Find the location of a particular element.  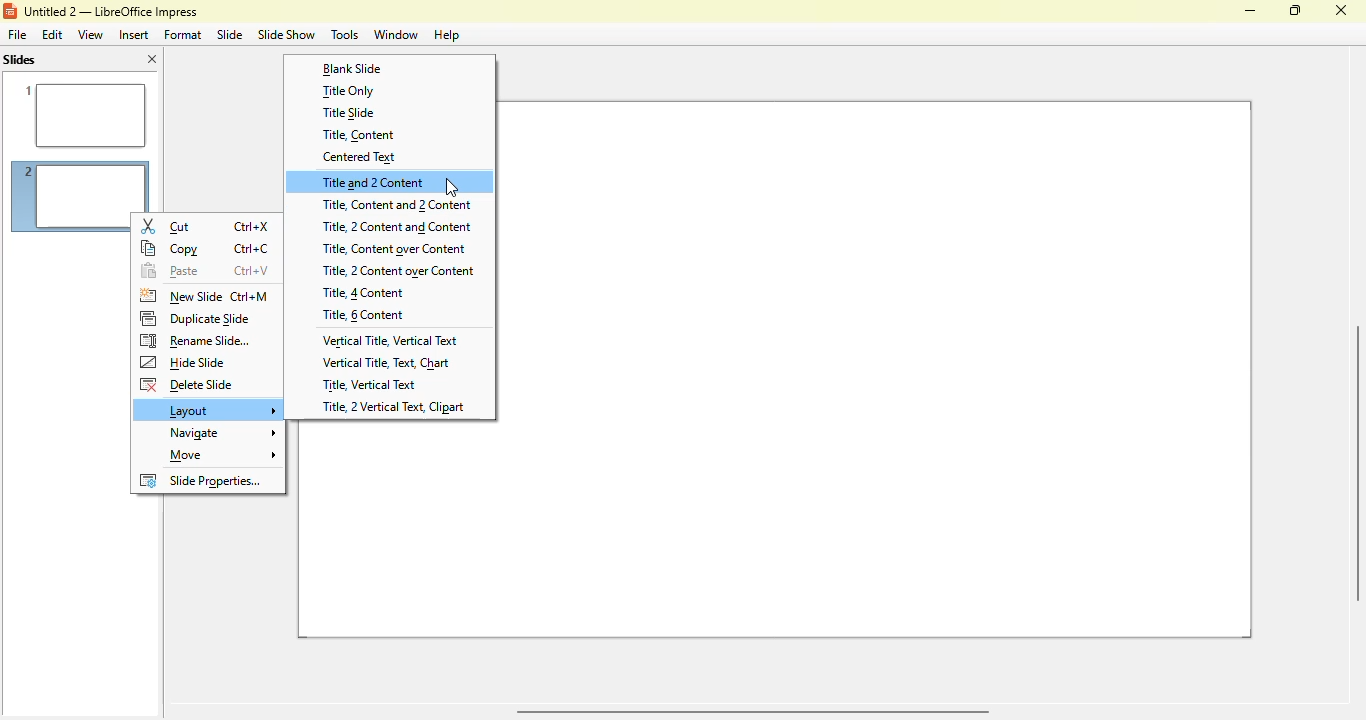

layout is located at coordinates (204, 410).